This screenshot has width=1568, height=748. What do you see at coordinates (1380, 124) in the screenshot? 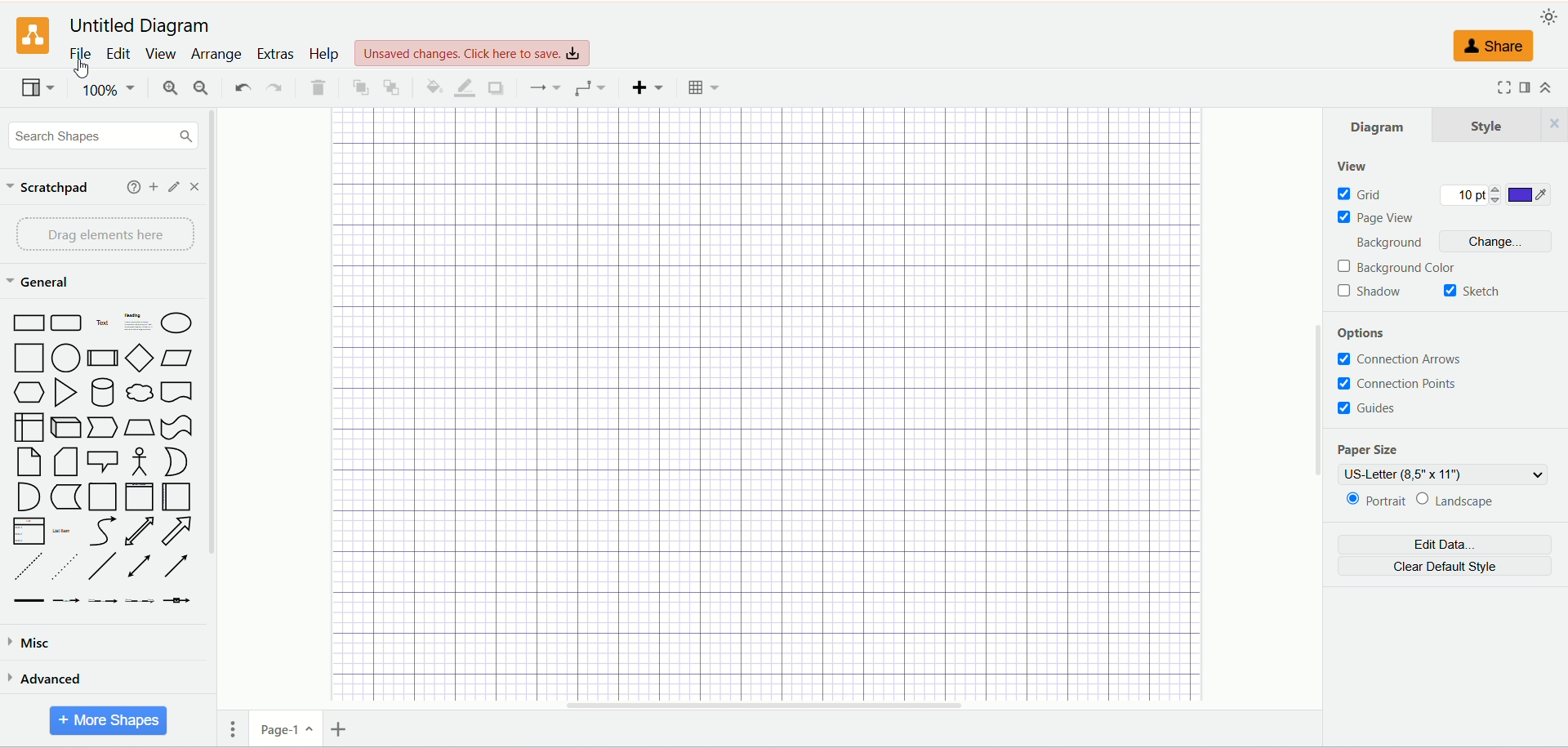
I see `diagram` at bounding box center [1380, 124].